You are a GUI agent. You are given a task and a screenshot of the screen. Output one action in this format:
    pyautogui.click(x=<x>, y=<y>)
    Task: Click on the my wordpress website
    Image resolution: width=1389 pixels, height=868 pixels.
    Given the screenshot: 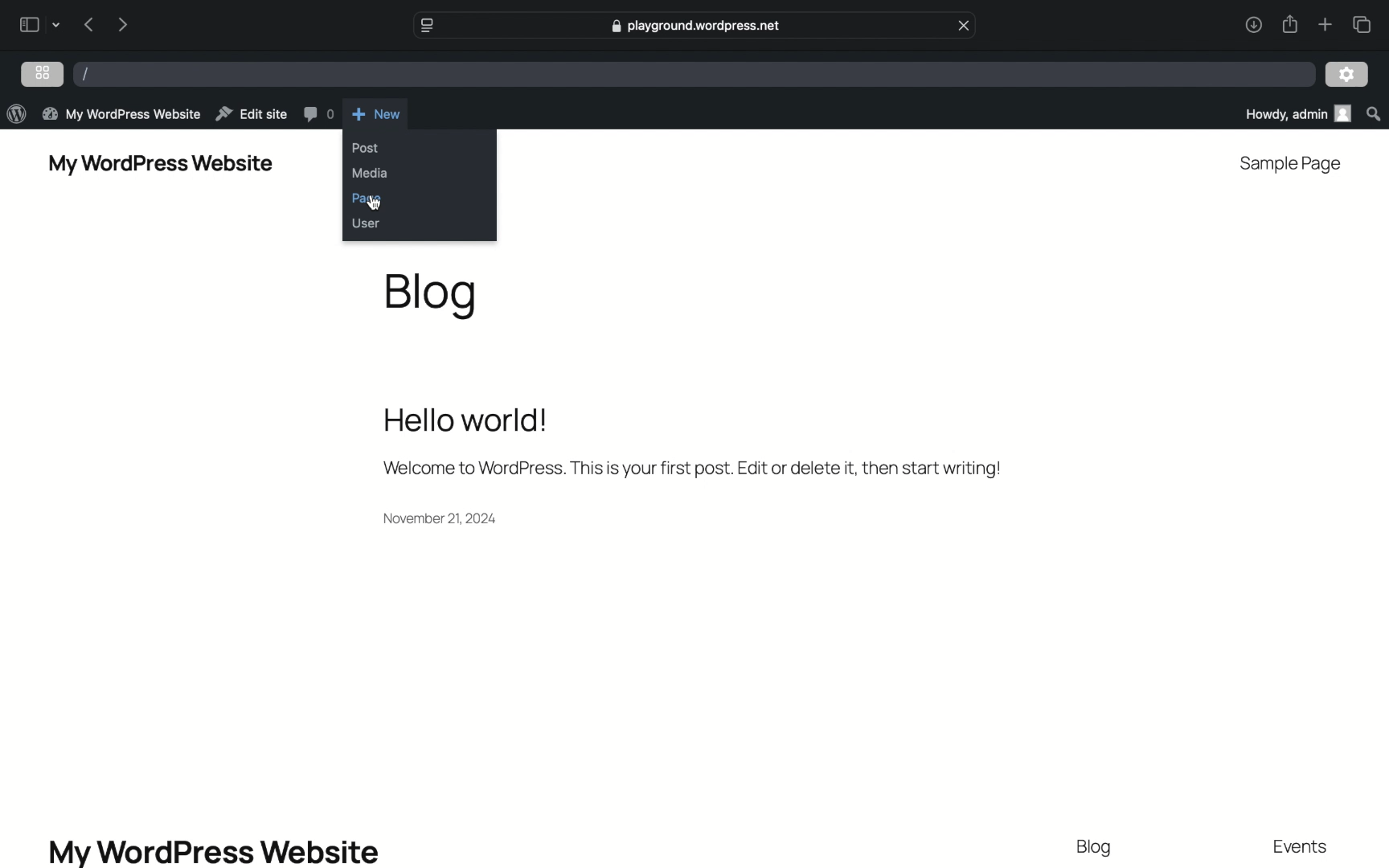 What is the action you would take?
    pyautogui.click(x=162, y=166)
    